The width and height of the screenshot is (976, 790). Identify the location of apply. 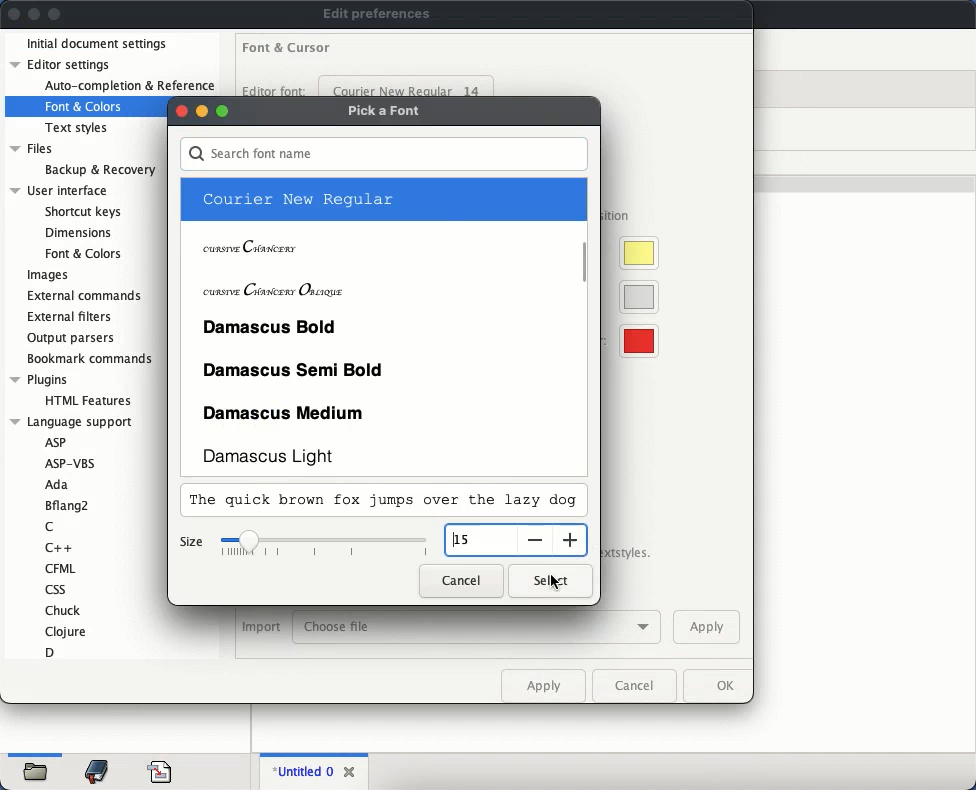
(543, 685).